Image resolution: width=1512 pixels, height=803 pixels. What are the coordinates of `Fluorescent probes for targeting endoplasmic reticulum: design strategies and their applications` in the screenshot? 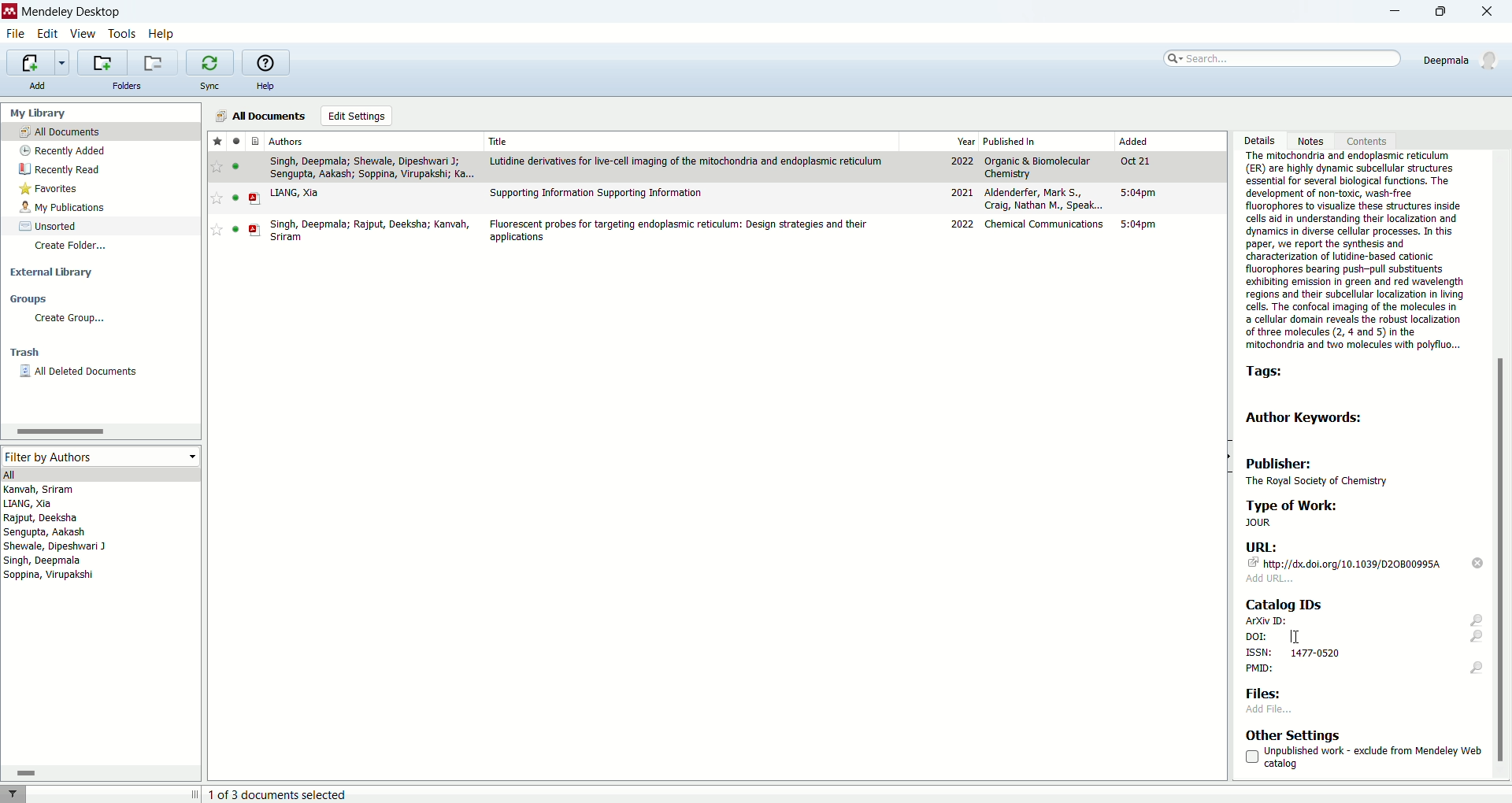 It's located at (677, 231).